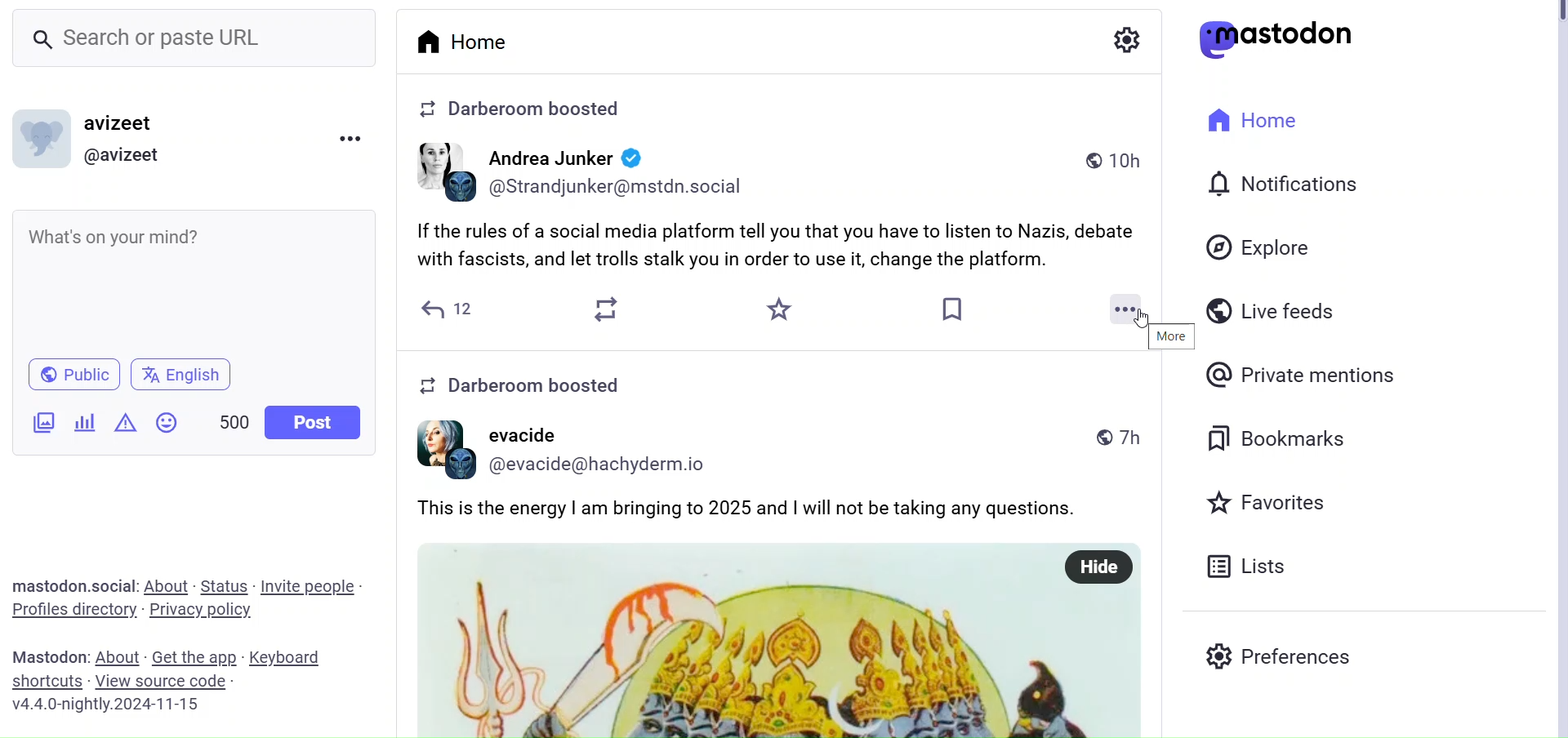  What do you see at coordinates (526, 109) in the screenshot?
I see `info` at bounding box center [526, 109].